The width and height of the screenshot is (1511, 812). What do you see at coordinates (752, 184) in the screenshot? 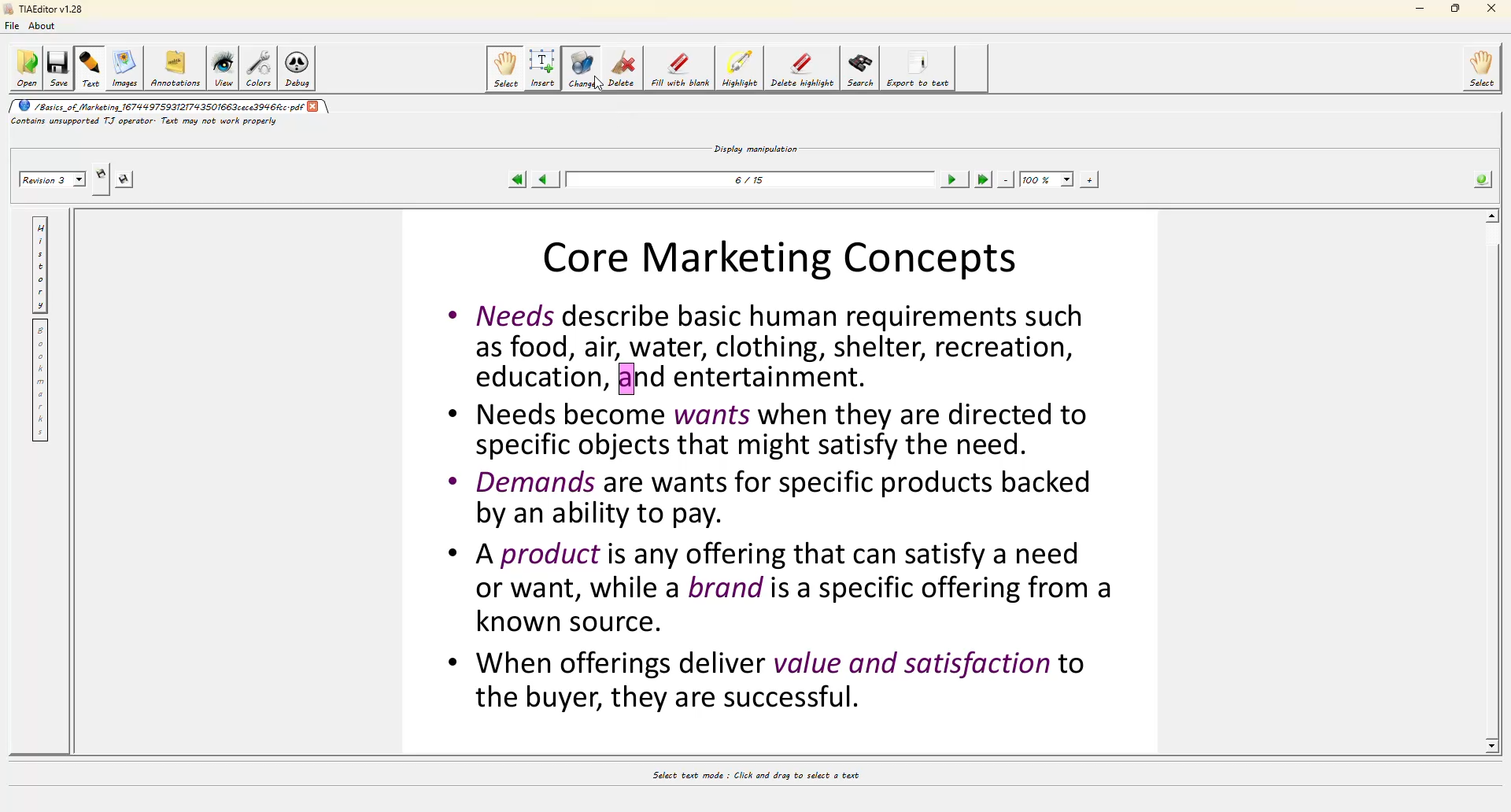
I see `6/15` at bounding box center [752, 184].